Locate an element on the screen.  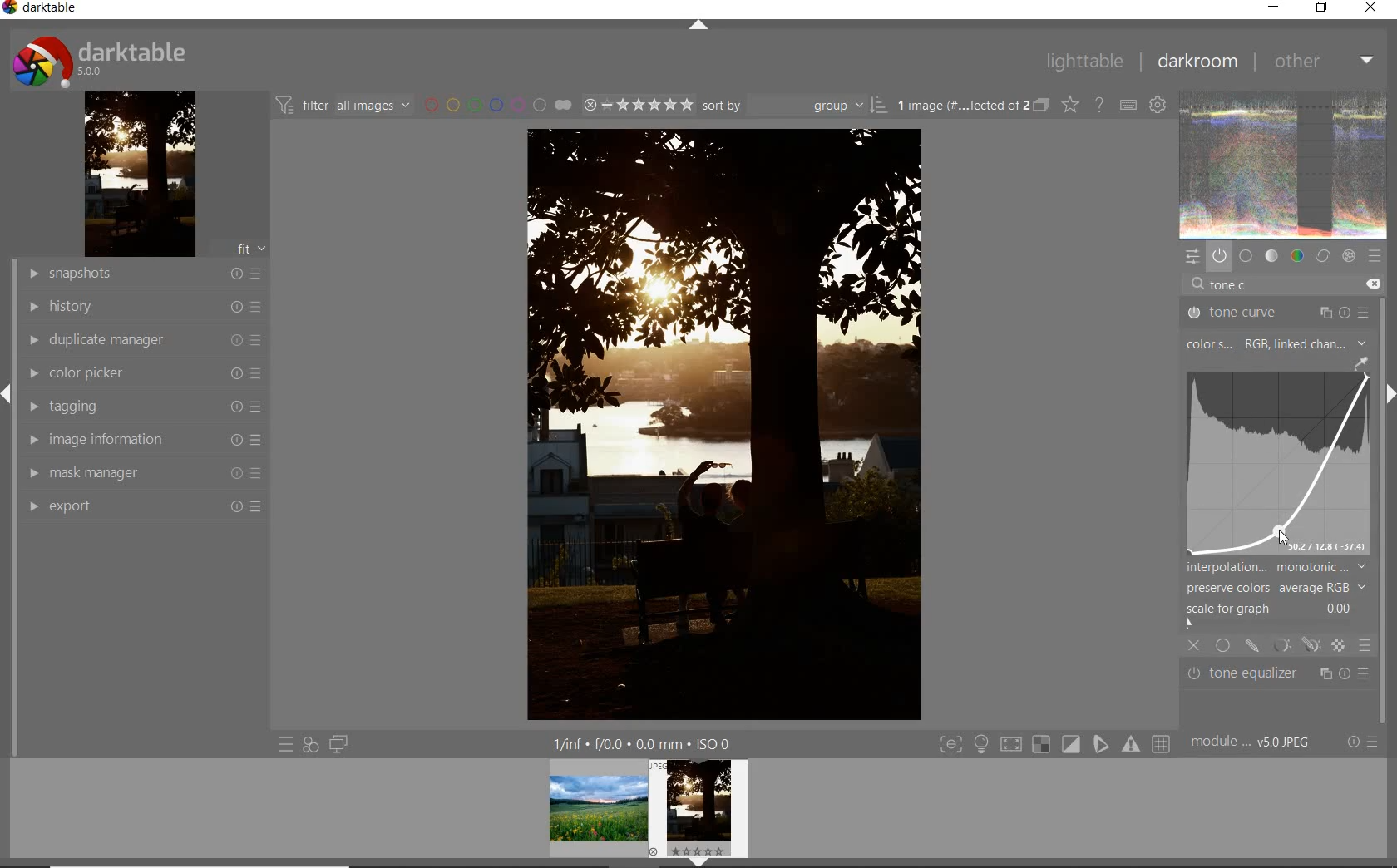
picker tool is located at coordinates (1361, 364).